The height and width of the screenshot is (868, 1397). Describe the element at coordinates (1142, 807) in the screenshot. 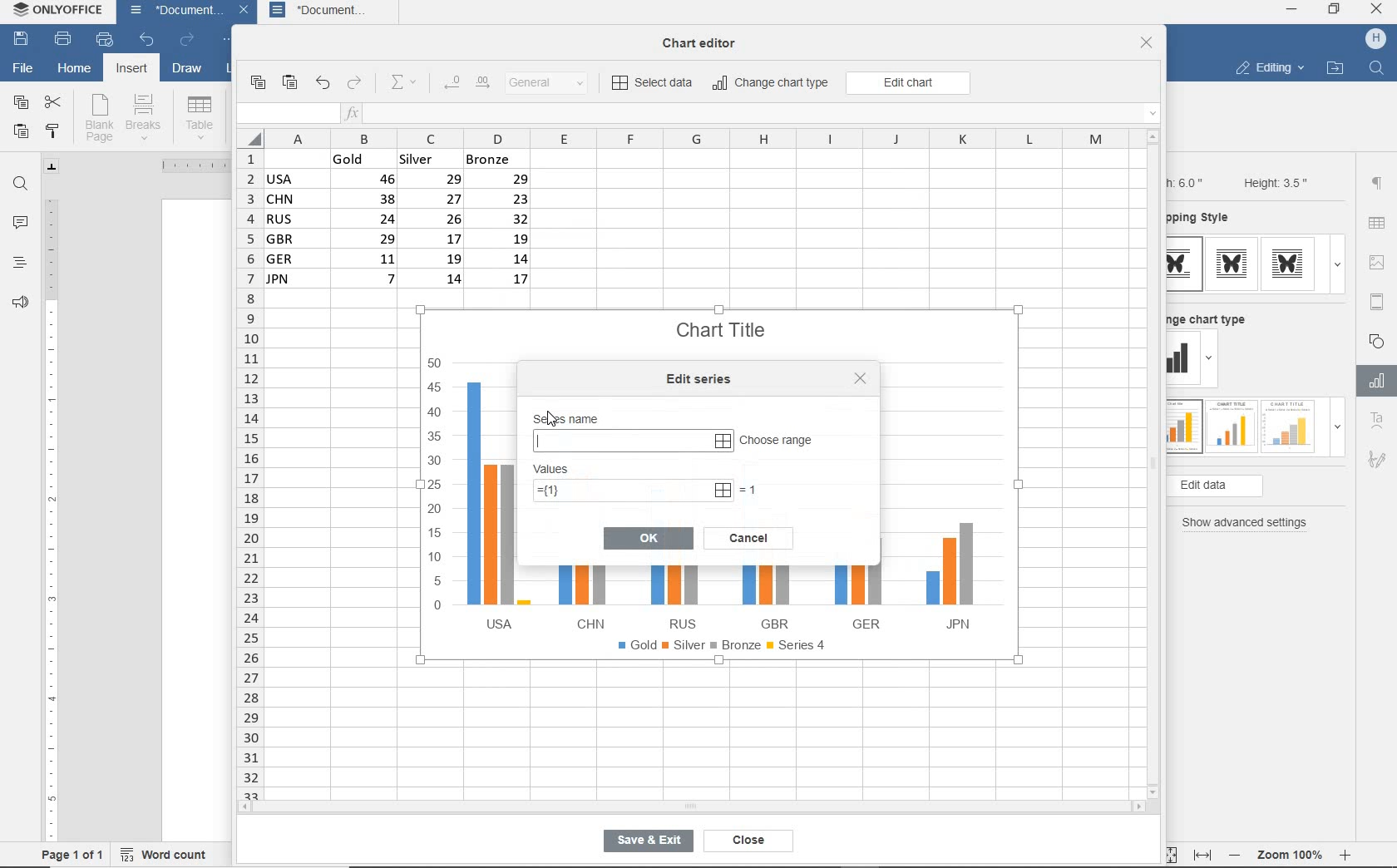

I see `scroll right` at that location.